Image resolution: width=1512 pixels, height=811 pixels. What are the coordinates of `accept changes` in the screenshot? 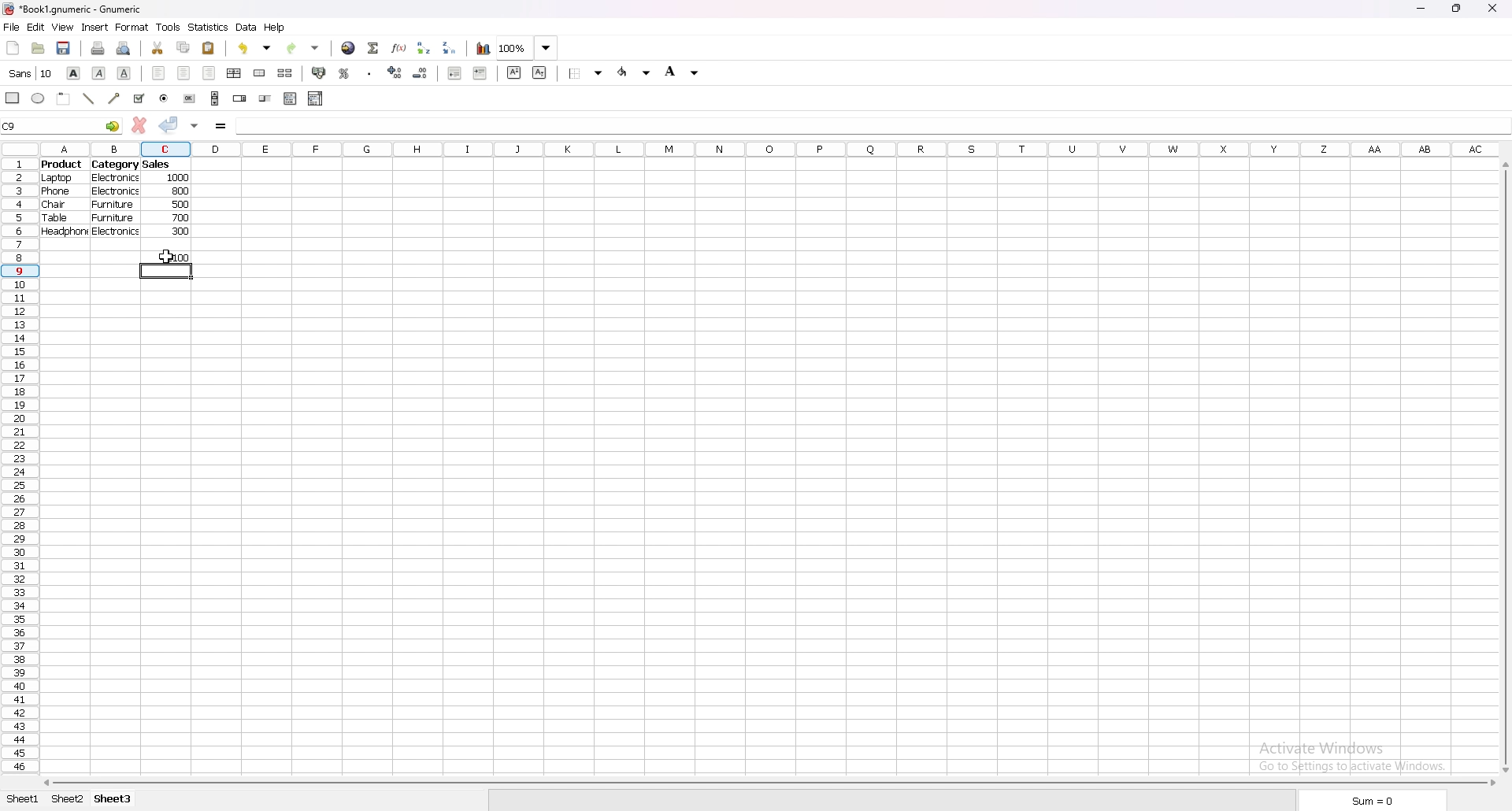 It's located at (169, 125).